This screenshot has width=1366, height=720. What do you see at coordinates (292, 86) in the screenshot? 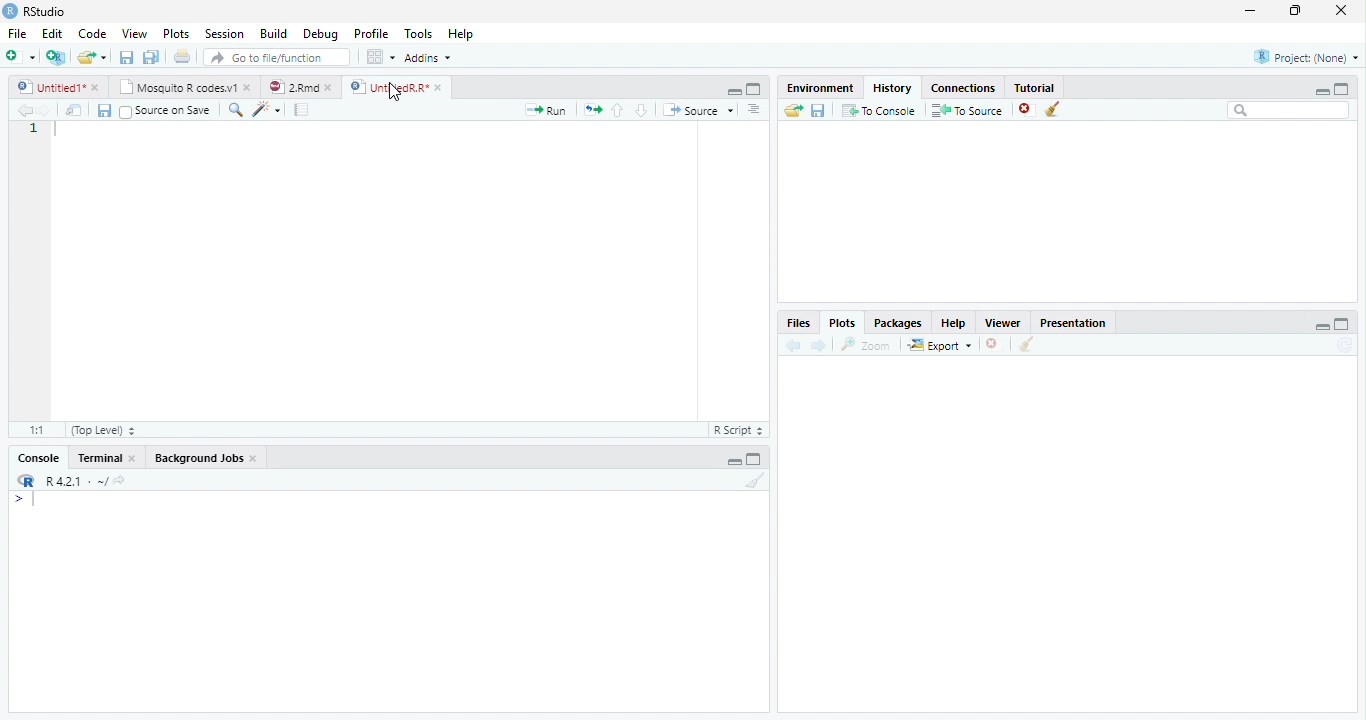
I see `2.Rmd` at bounding box center [292, 86].